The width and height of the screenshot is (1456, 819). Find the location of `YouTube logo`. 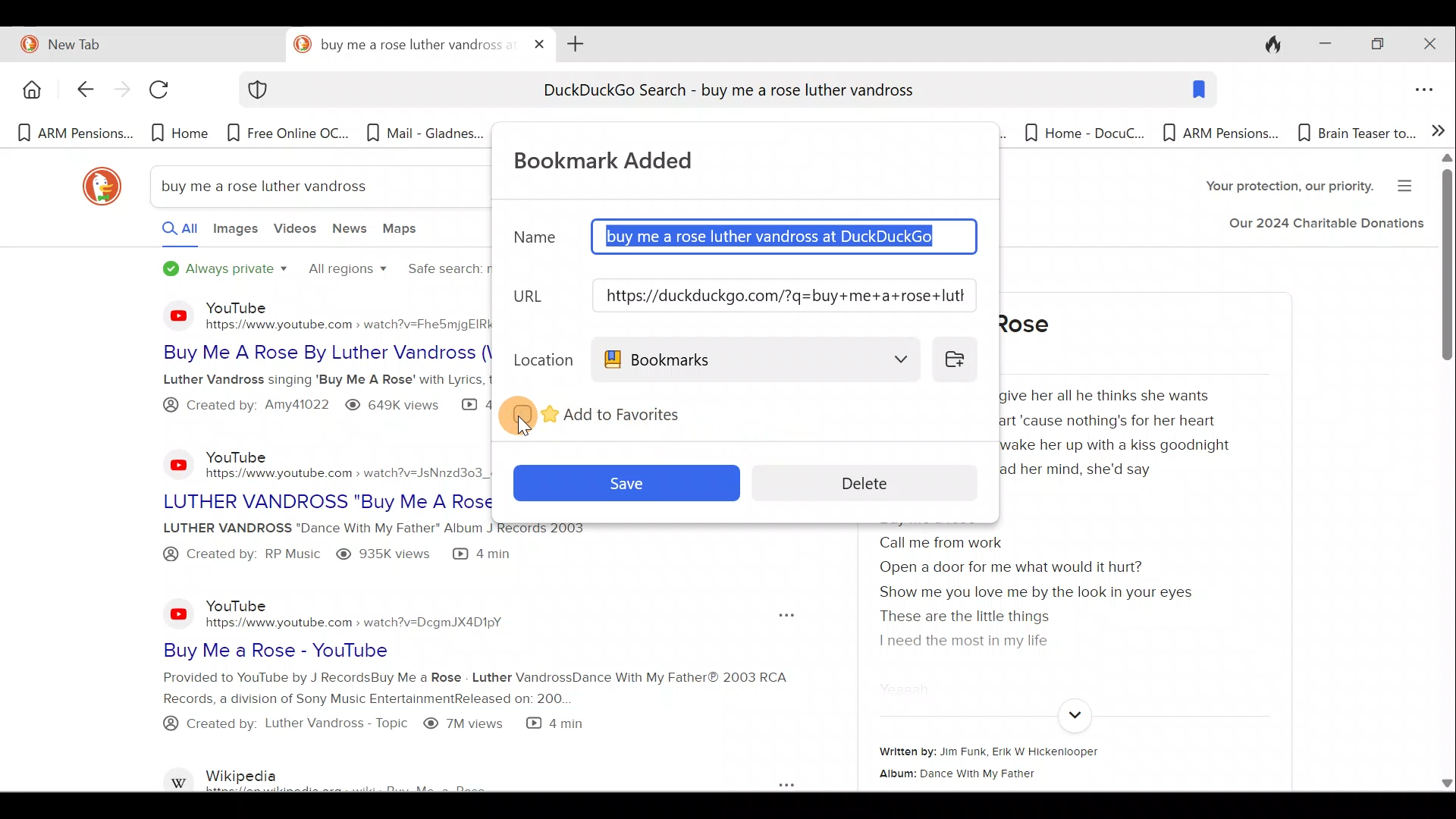

YouTube logo is located at coordinates (179, 613).